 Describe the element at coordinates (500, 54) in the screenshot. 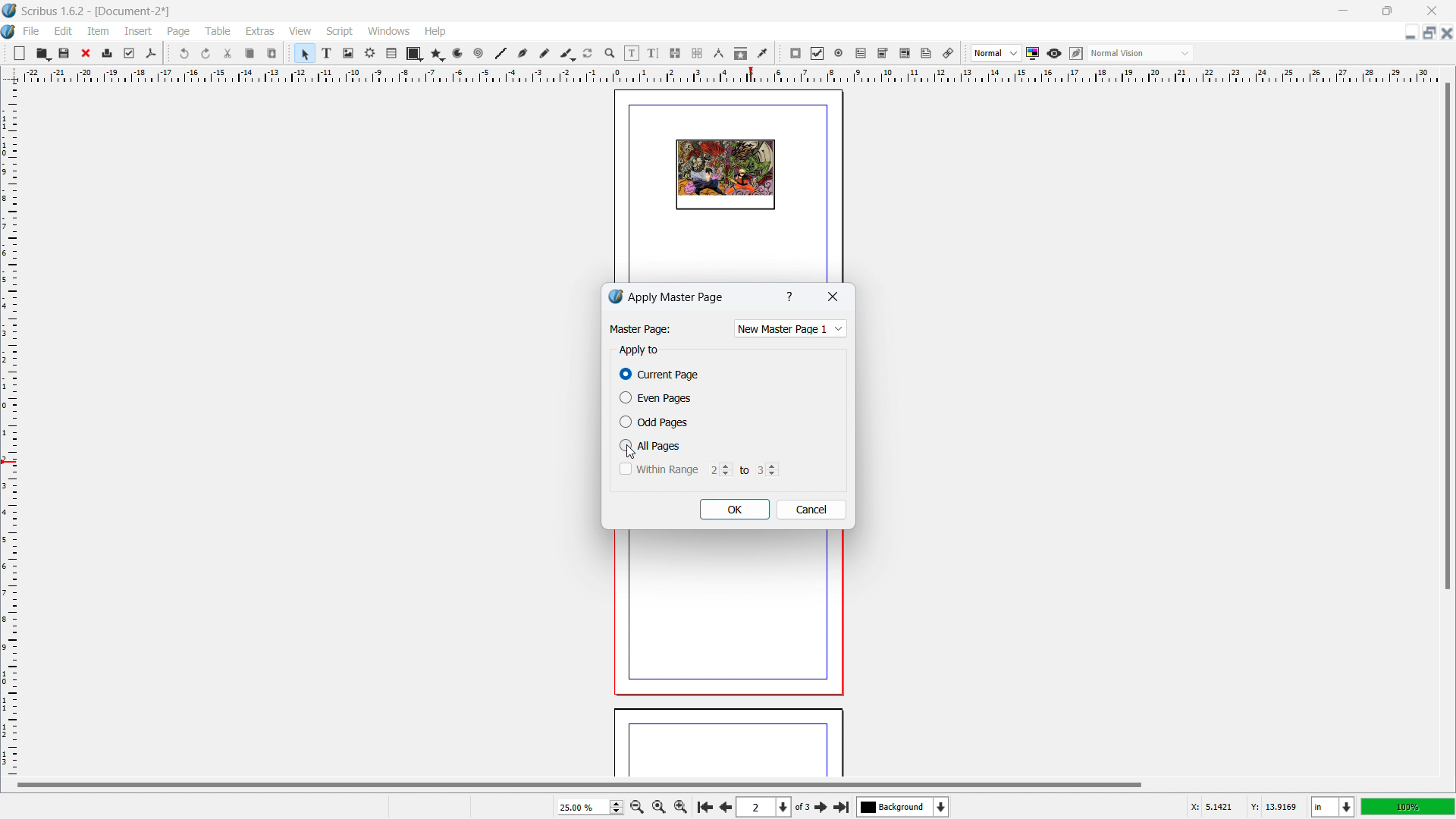

I see `line` at that location.